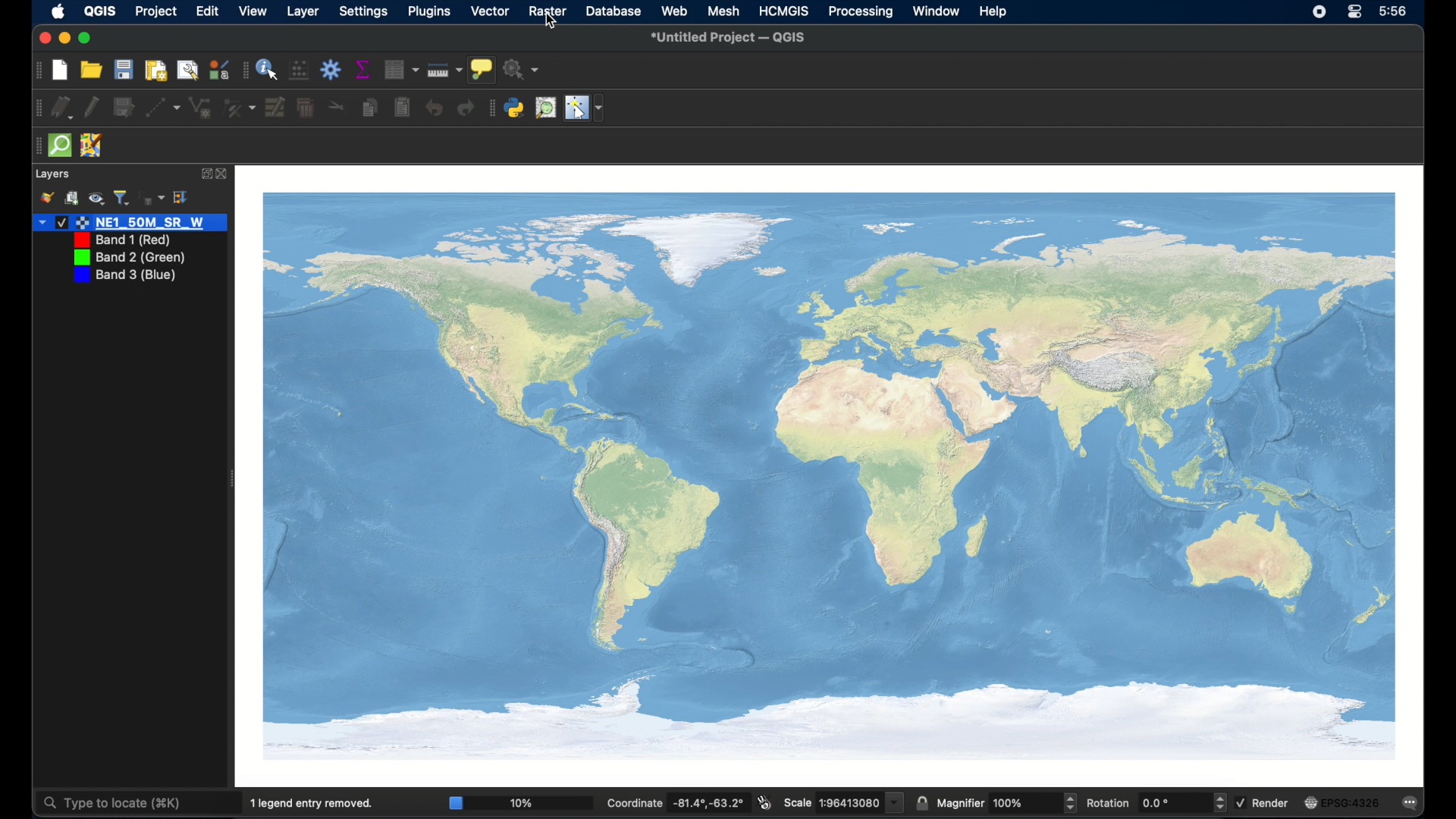  What do you see at coordinates (36, 71) in the screenshot?
I see `drag handle` at bounding box center [36, 71].